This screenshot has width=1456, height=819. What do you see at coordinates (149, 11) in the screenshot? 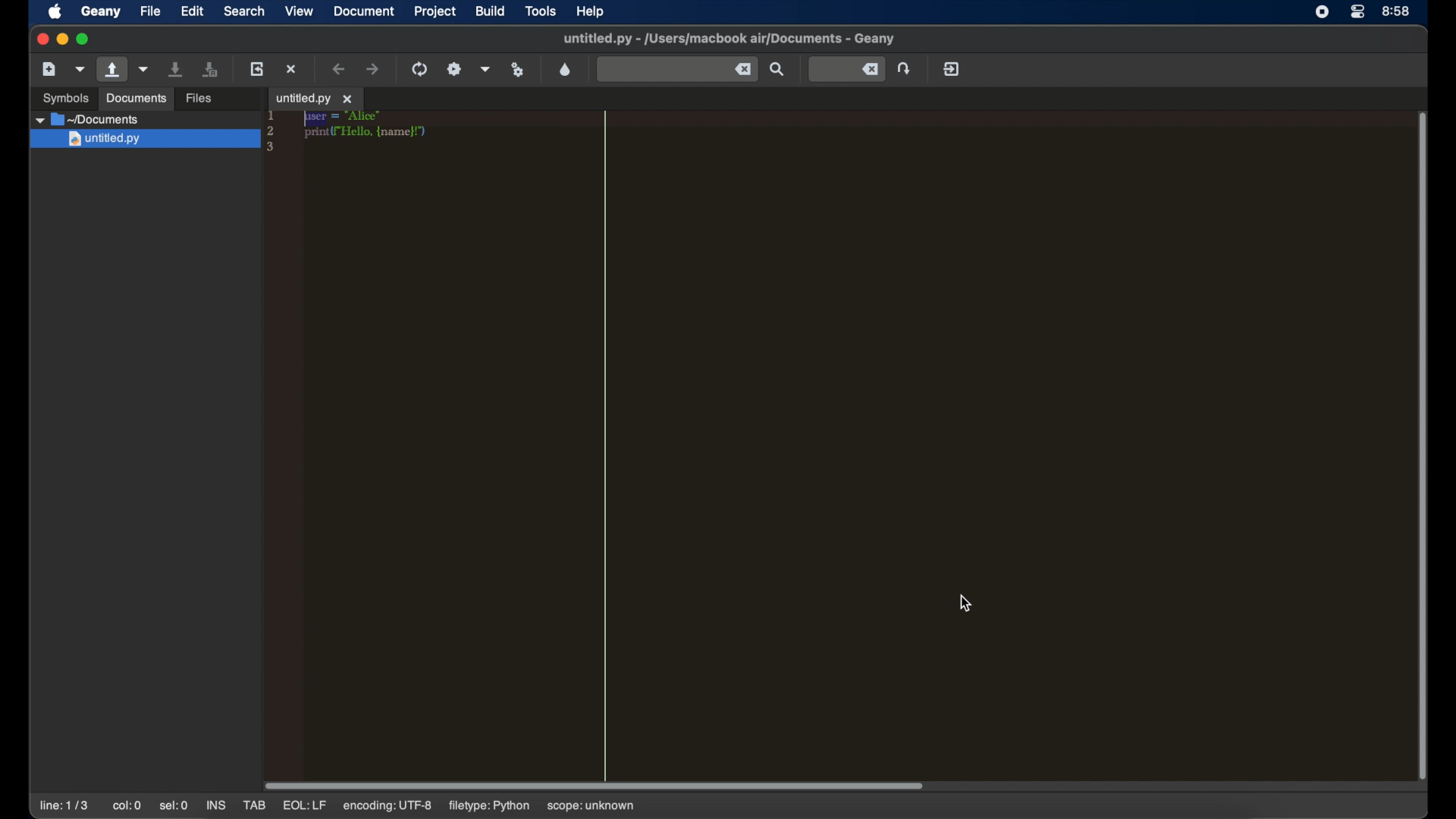
I see `file` at bounding box center [149, 11].